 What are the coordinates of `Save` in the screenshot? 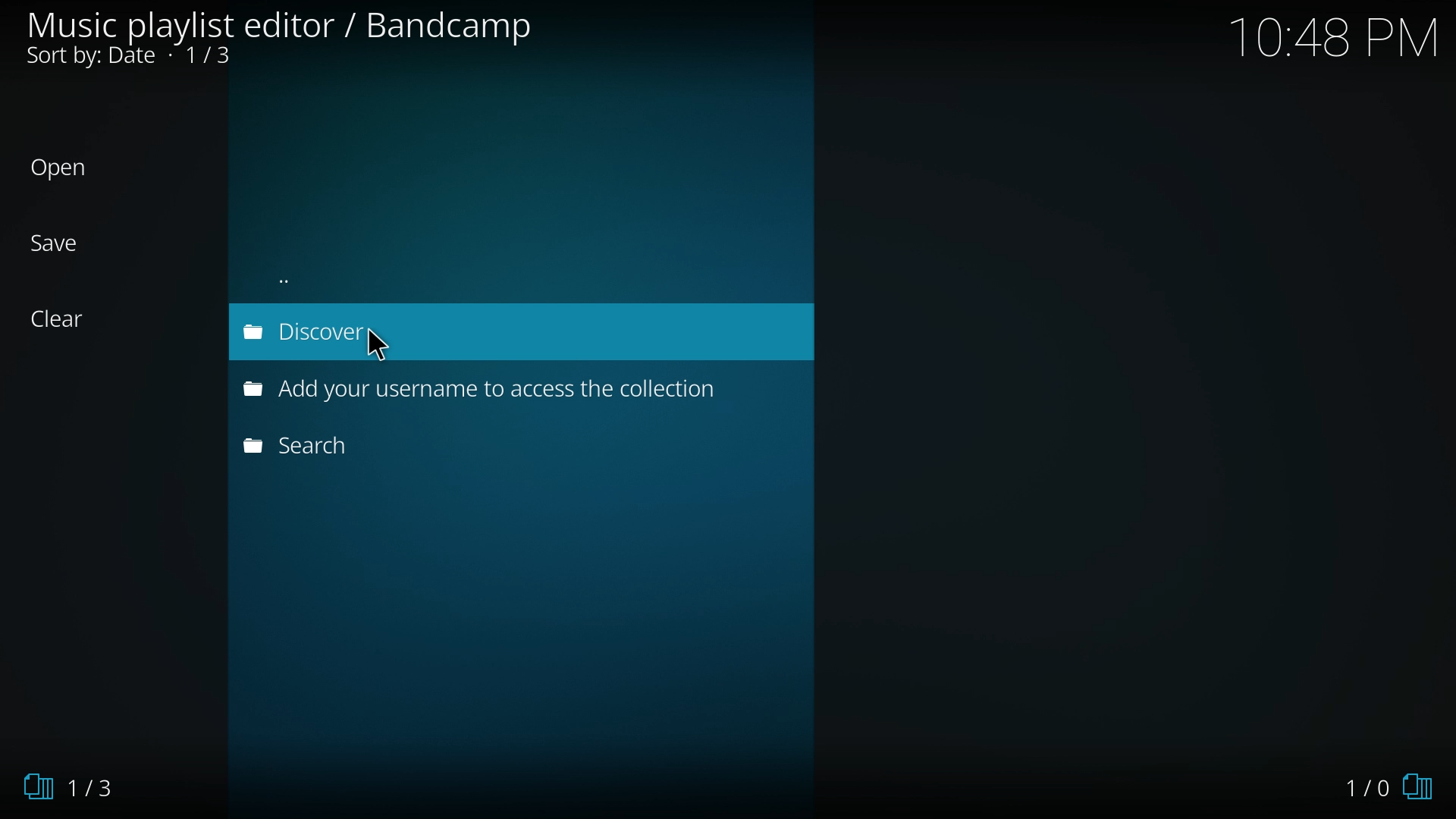 It's located at (71, 243).